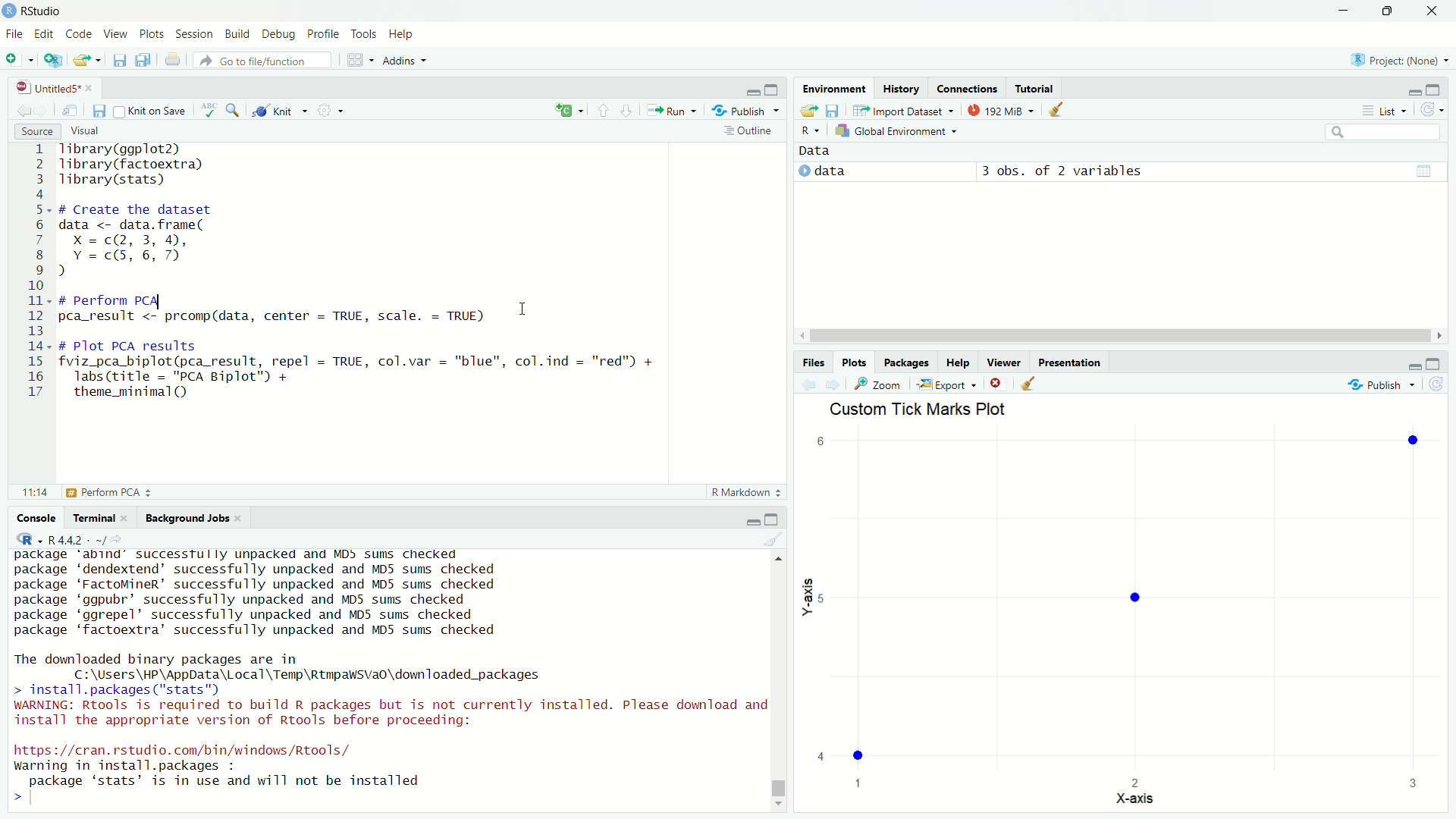 This screenshot has height=819, width=1456. Describe the element at coordinates (1034, 88) in the screenshot. I see `tutorial` at that location.